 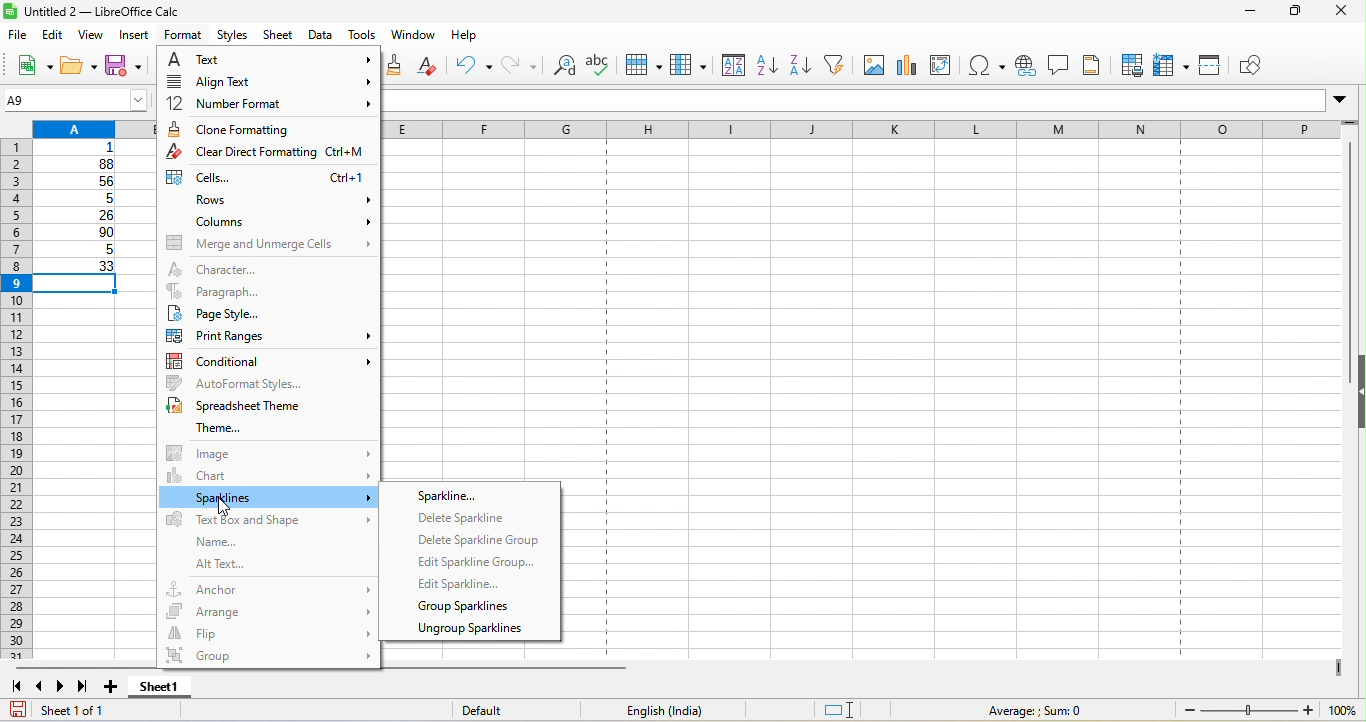 What do you see at coordinates (1267, 710) in the screenshot?
I see `zoom` at bounding box center [1267, 710].